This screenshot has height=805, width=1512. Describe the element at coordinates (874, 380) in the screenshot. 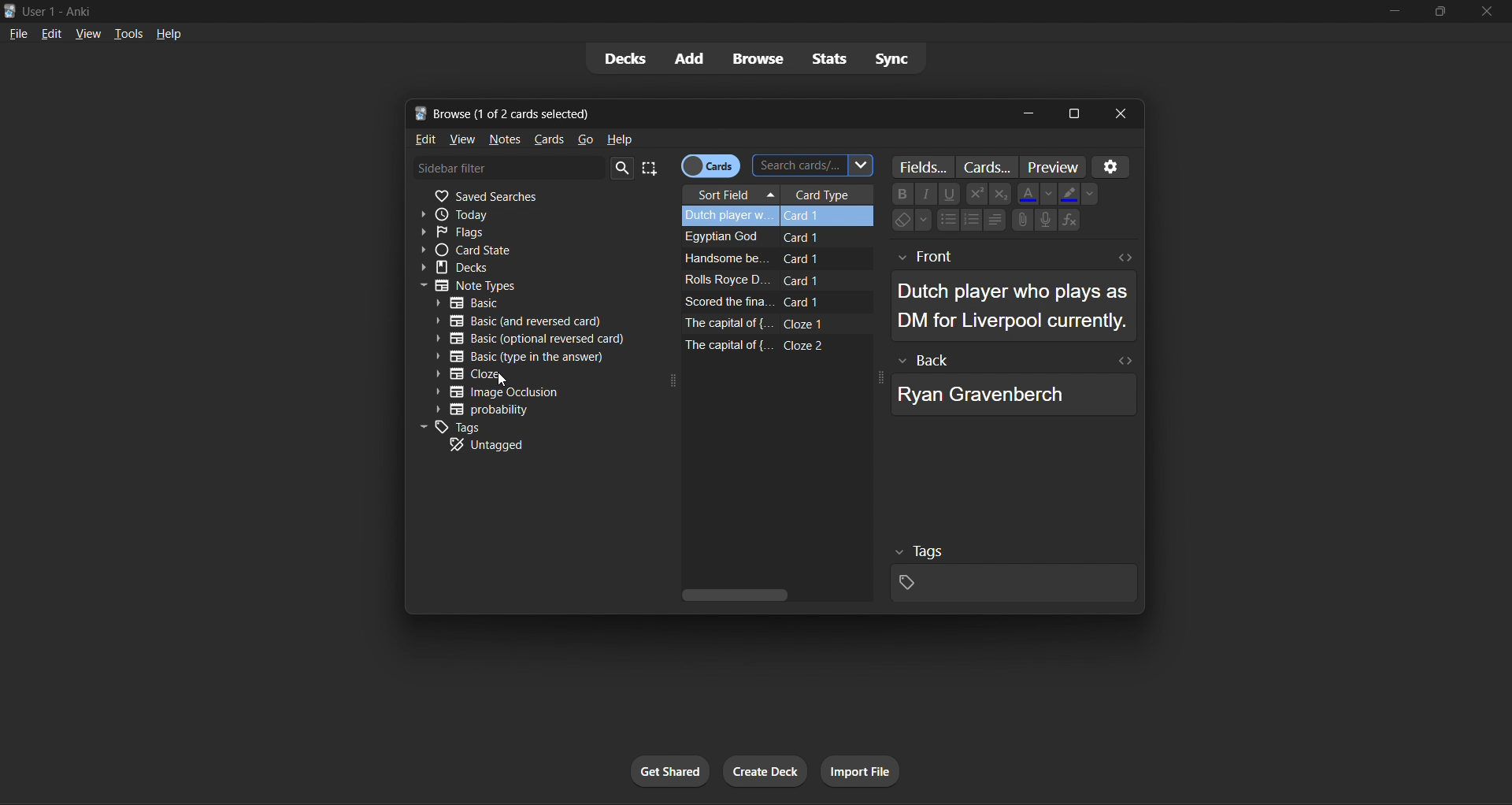

I see `expand icon` at that location.